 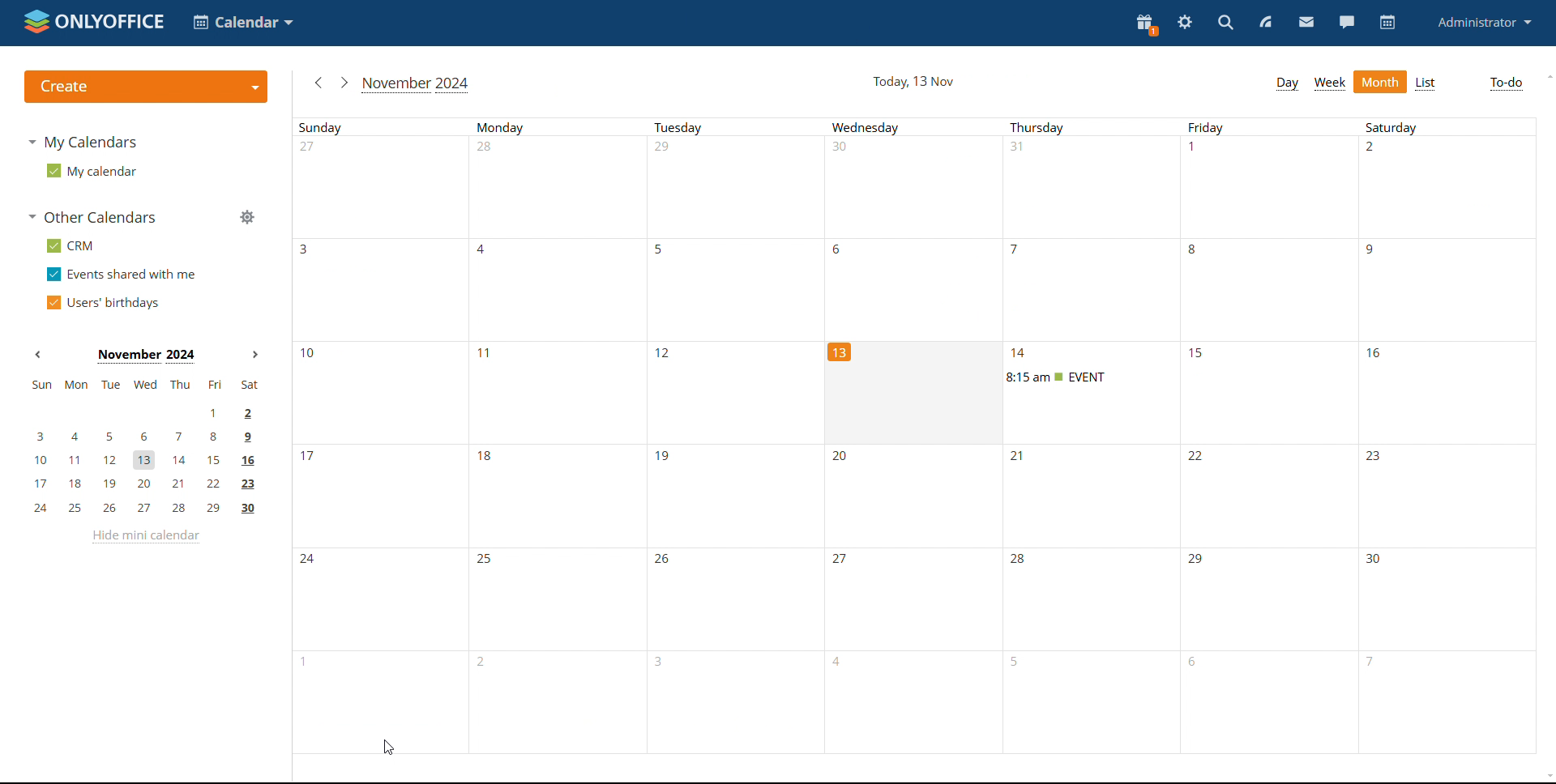 I want to click on mini calendar, so click(x=143, y=449).